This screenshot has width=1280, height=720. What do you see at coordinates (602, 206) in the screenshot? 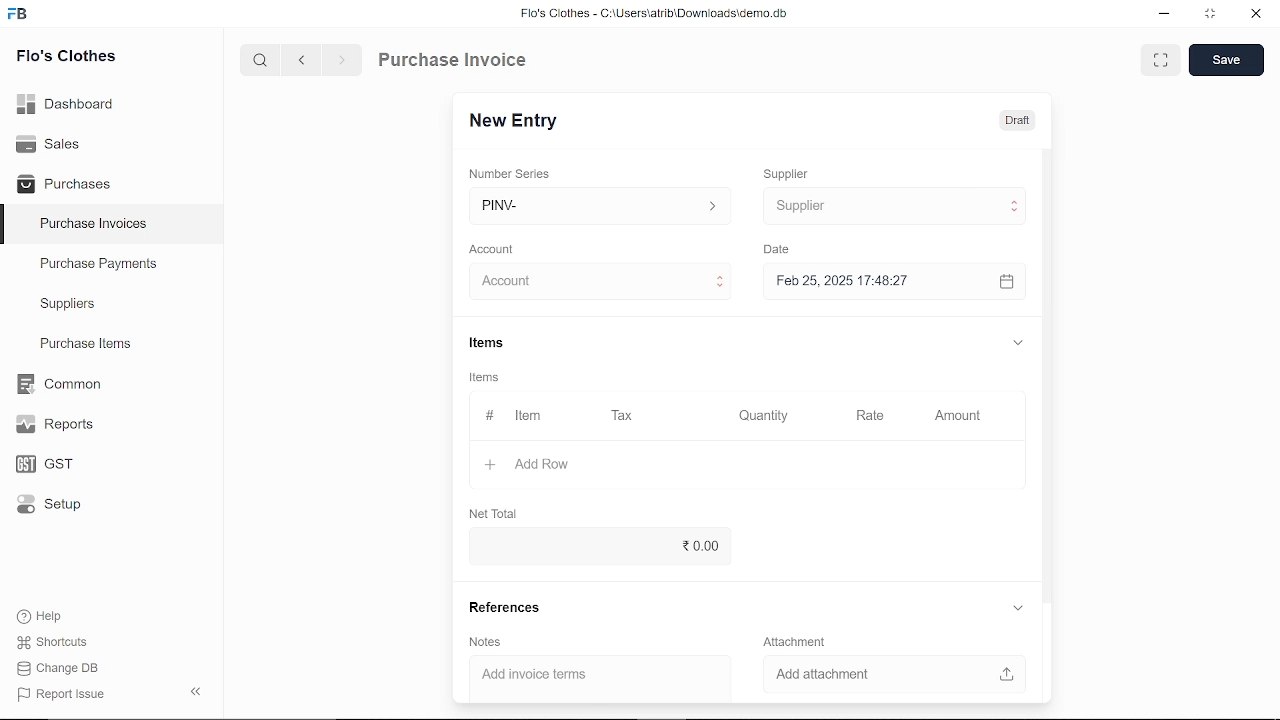
I see `PINV- >` at bounding box center [602, 206].